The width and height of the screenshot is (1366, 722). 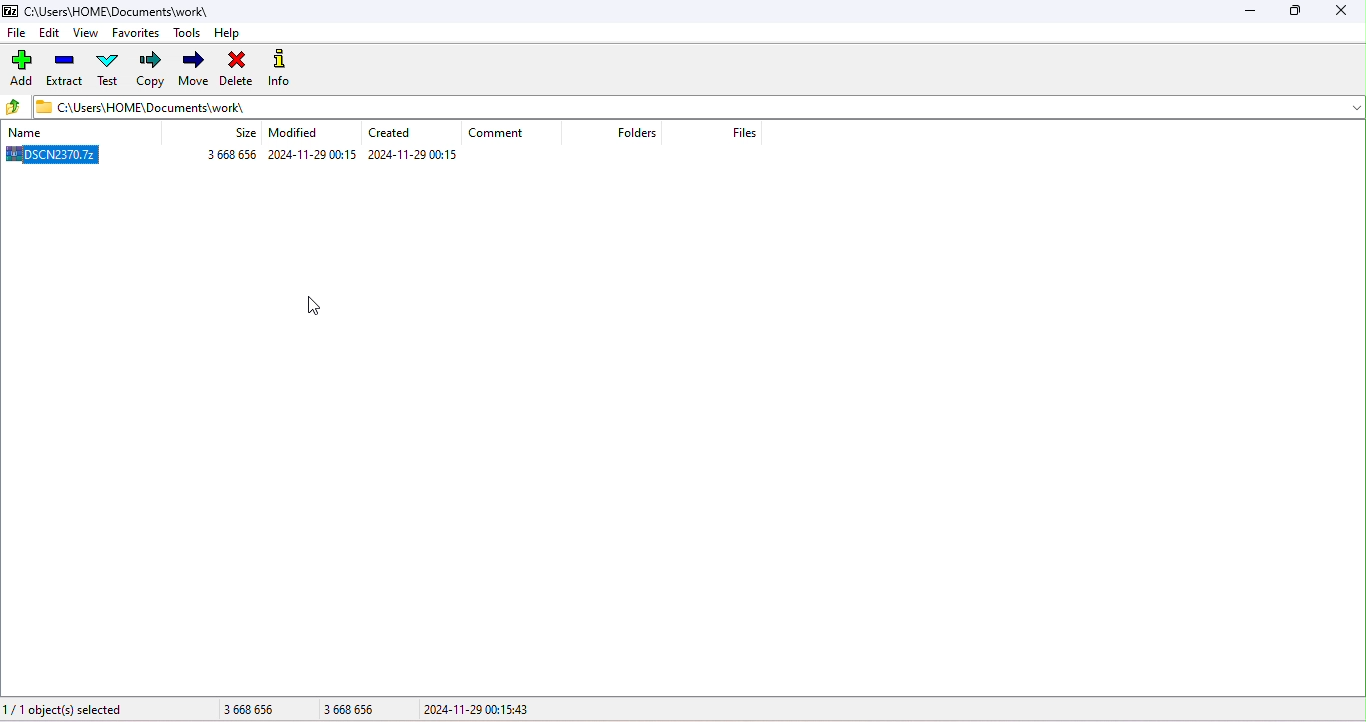 I want to click on maximize, so click(x=1296, y=12).